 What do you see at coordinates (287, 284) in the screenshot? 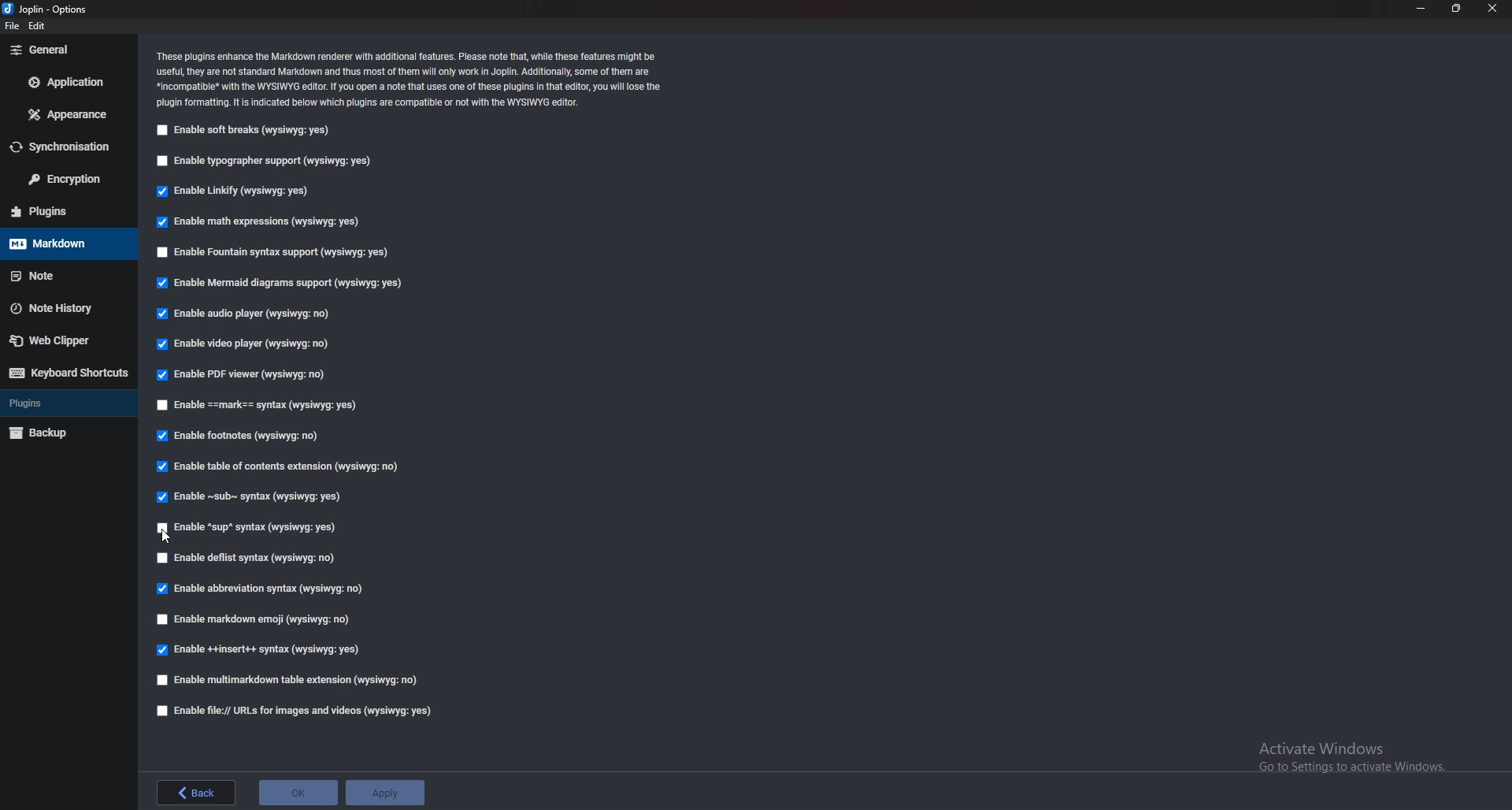
I see `Enable mermaid diagrams support` at bounding box center [287, 284].